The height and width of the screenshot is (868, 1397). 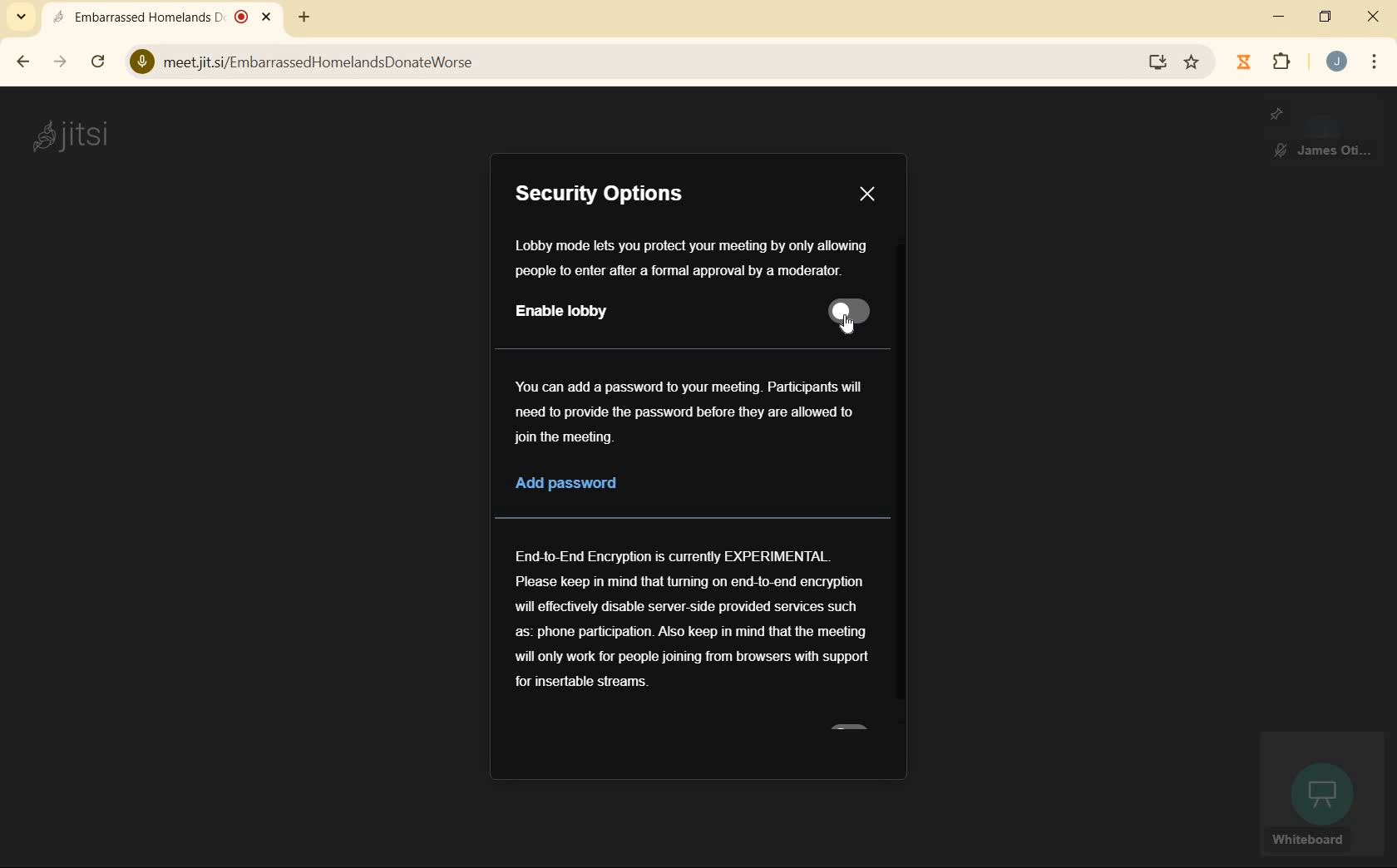 What do you see at coordinates (605, 197) in the screenshot?
I see `SECURITY OPTIONS` at bounding box center [605, 197].